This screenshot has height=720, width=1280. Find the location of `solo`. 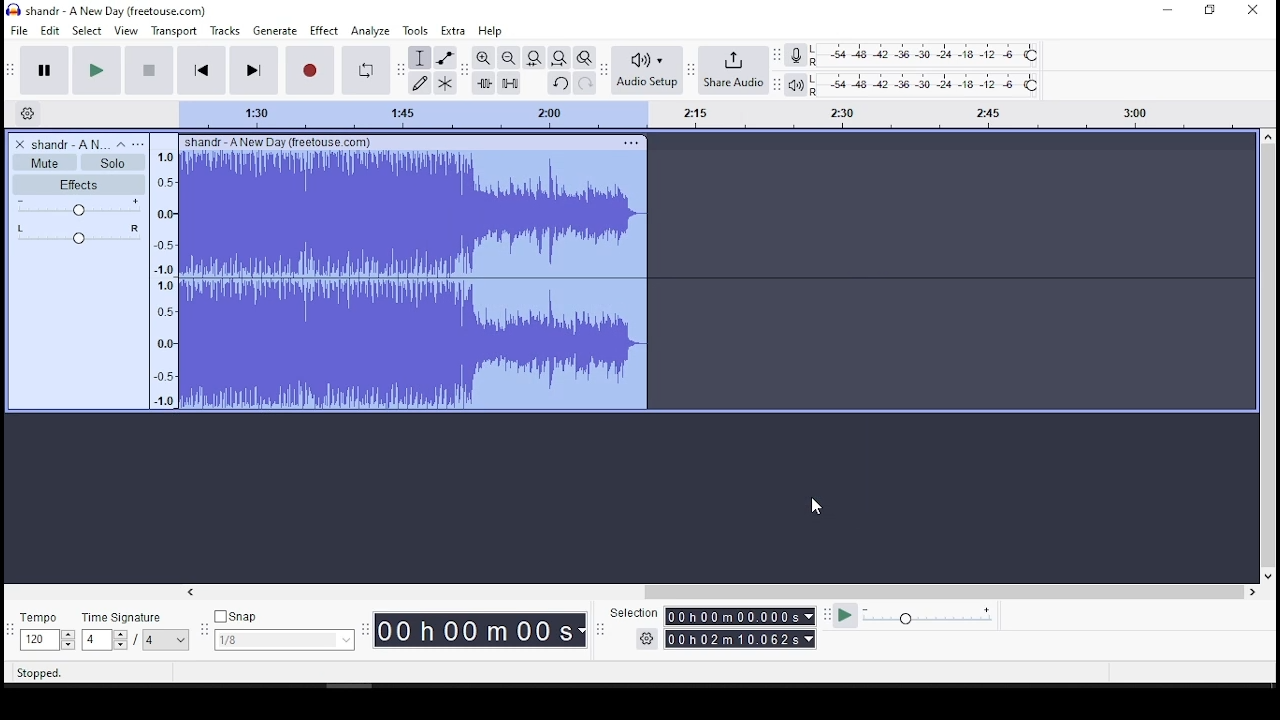

solo is located at coordinates (111, 163).